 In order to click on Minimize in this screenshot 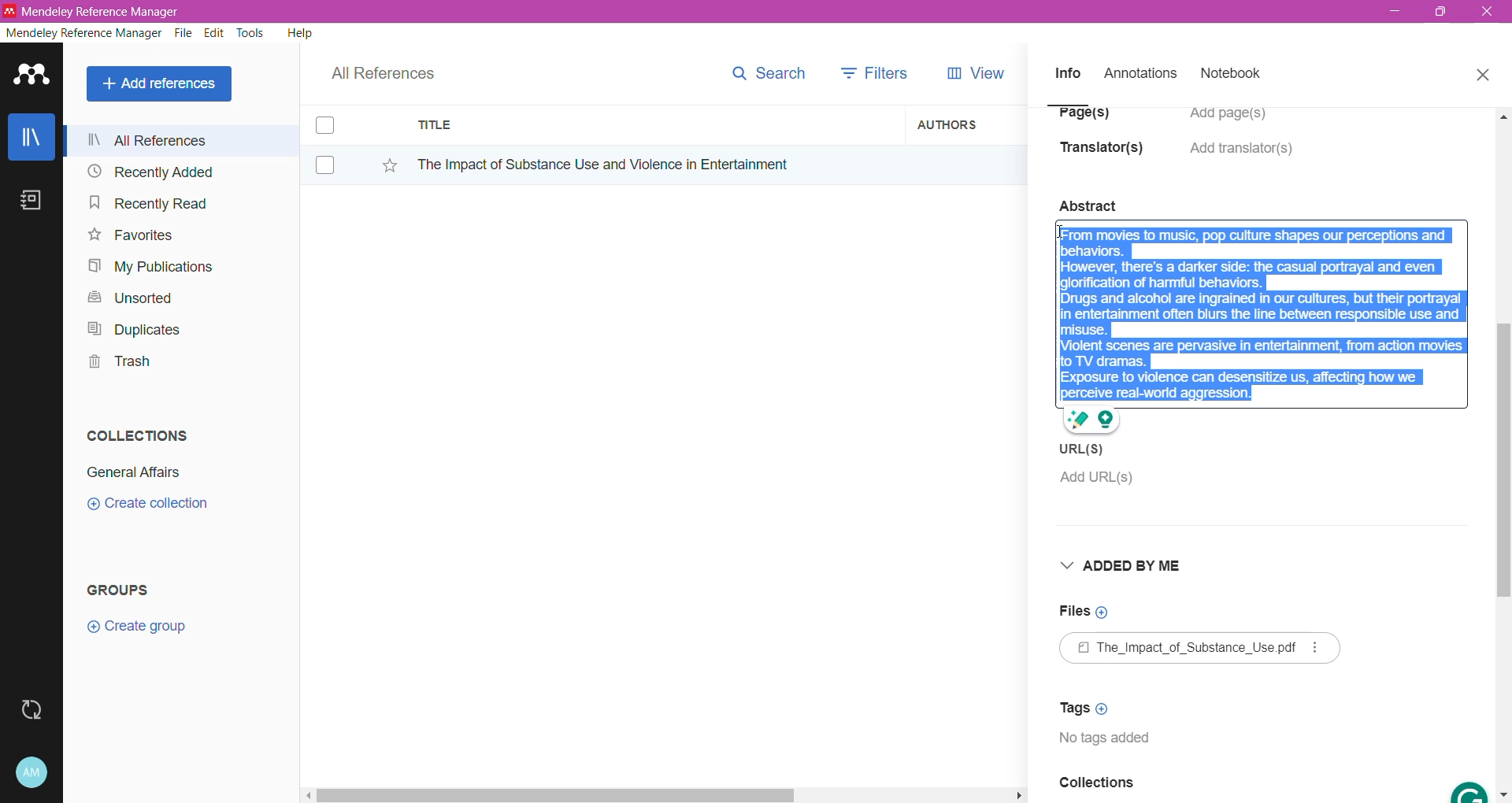, I will do `click(1395, 12)`.